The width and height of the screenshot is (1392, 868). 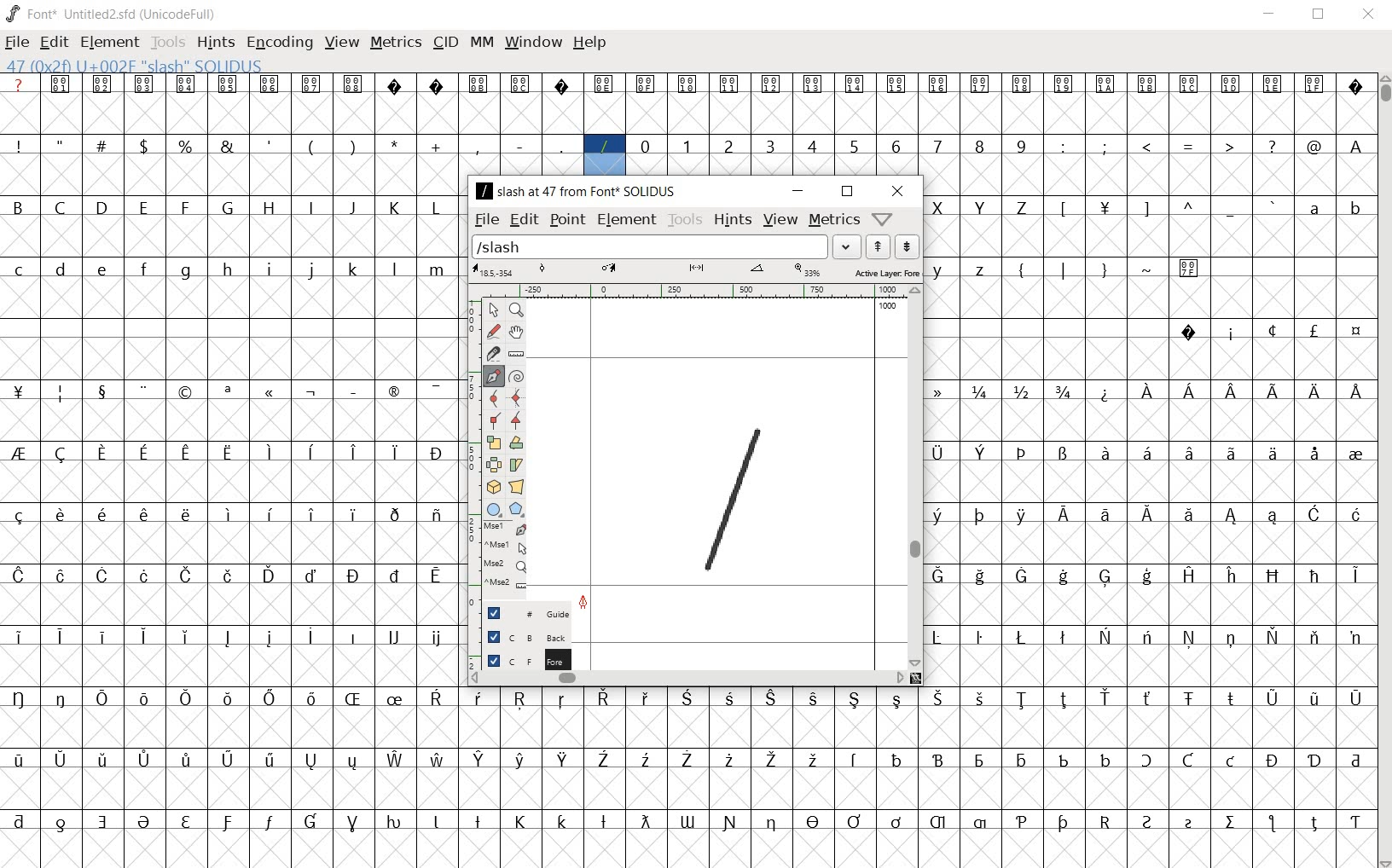 What do you see at coordinates (963, 269) in the screenshot?
I see `y z` at bounding box center [963, 269].